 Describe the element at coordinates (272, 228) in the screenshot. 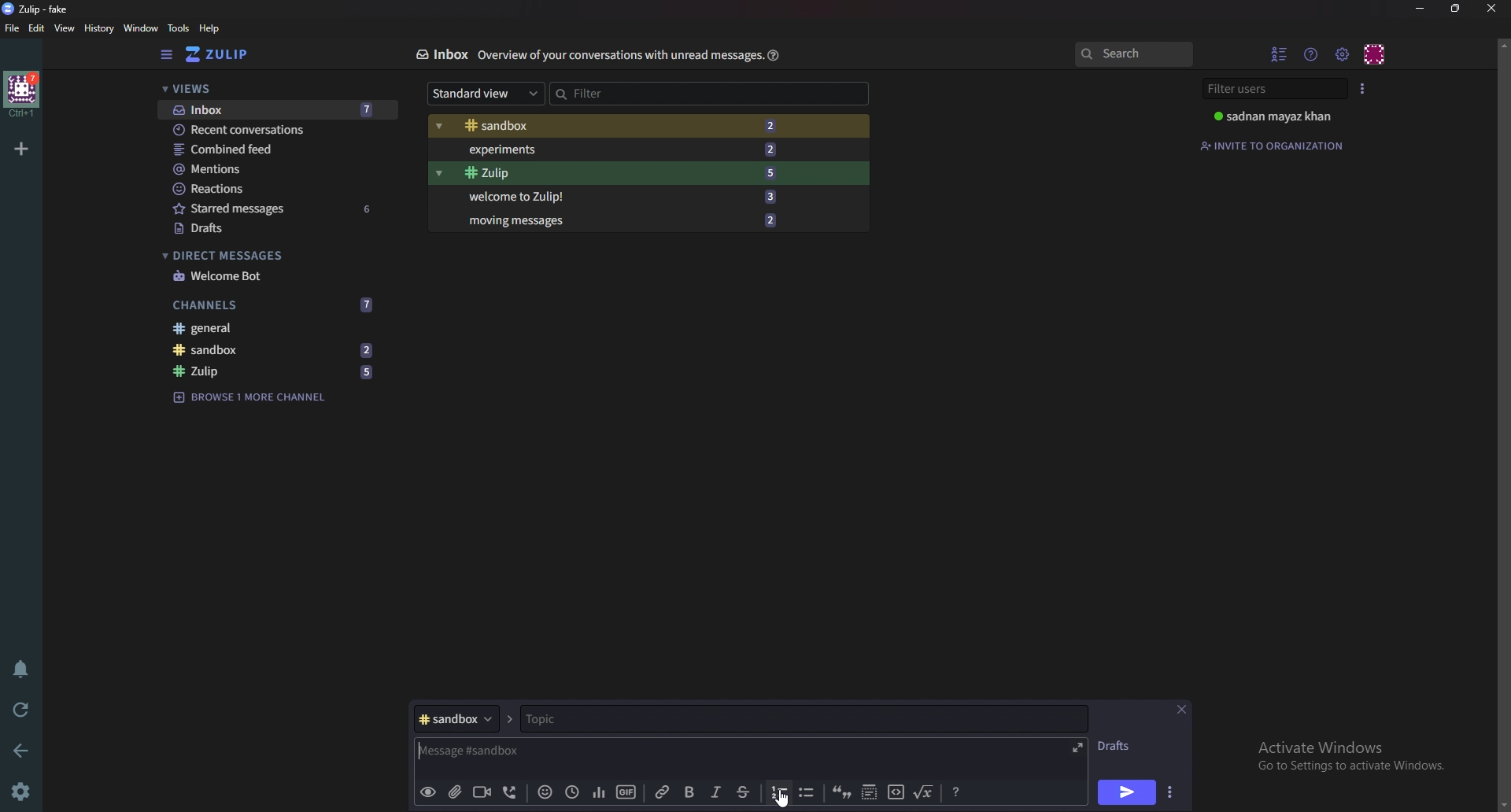

I see `Drafts` at that location.